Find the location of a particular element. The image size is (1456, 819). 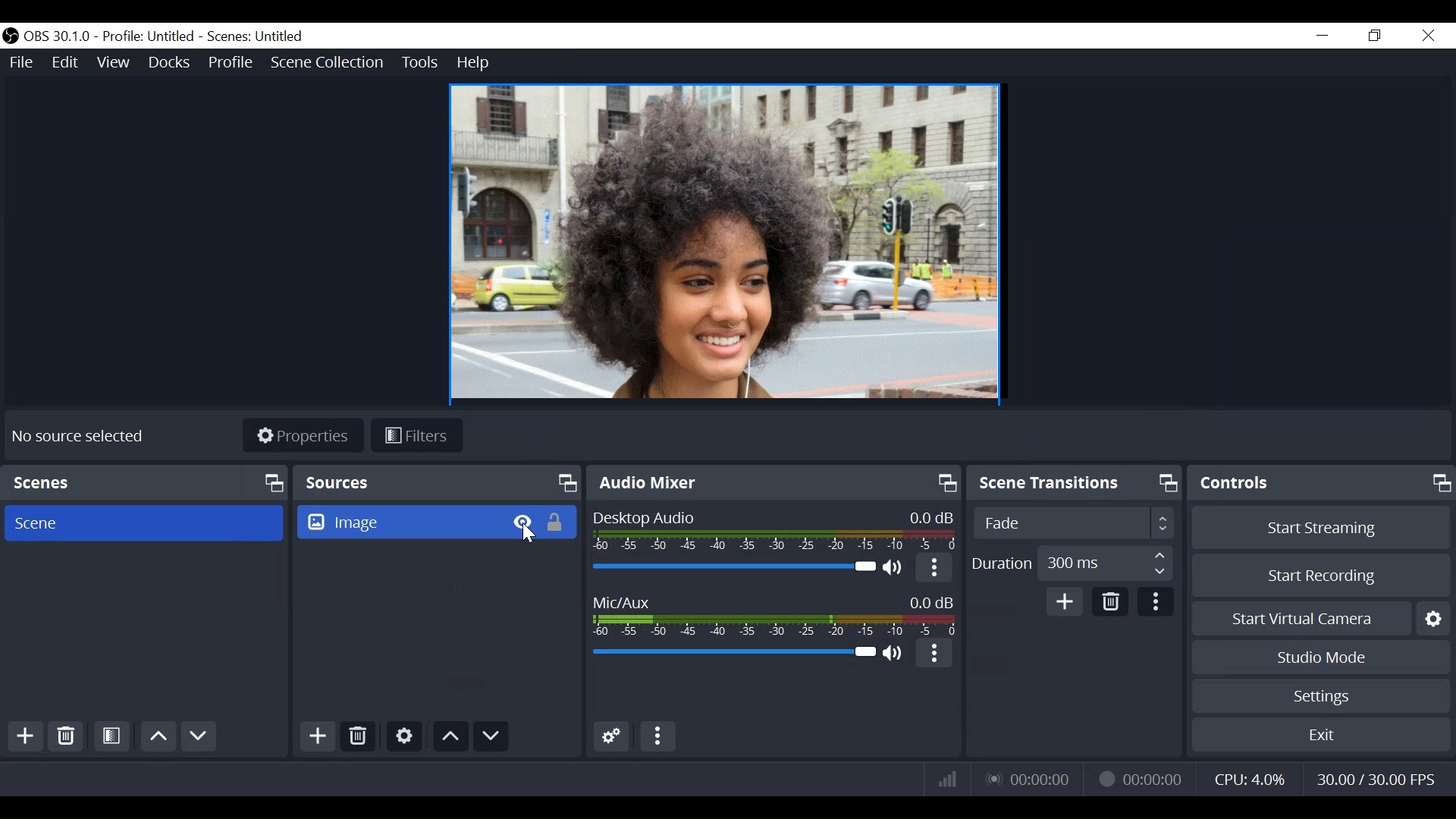

CPU Usage is located at coordinates (1250, 780).